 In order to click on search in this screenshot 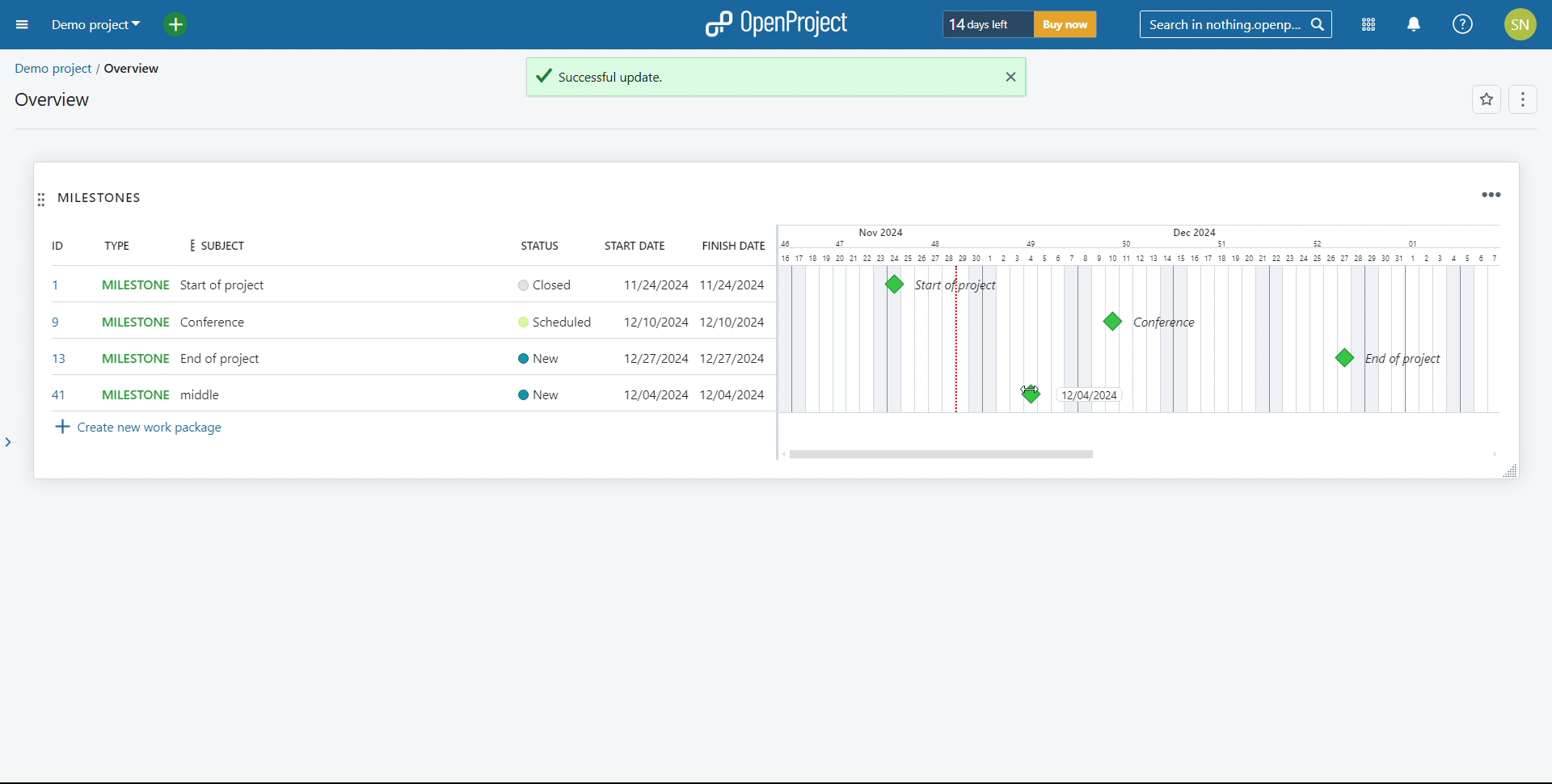, I will do `click(1235, 24)`.